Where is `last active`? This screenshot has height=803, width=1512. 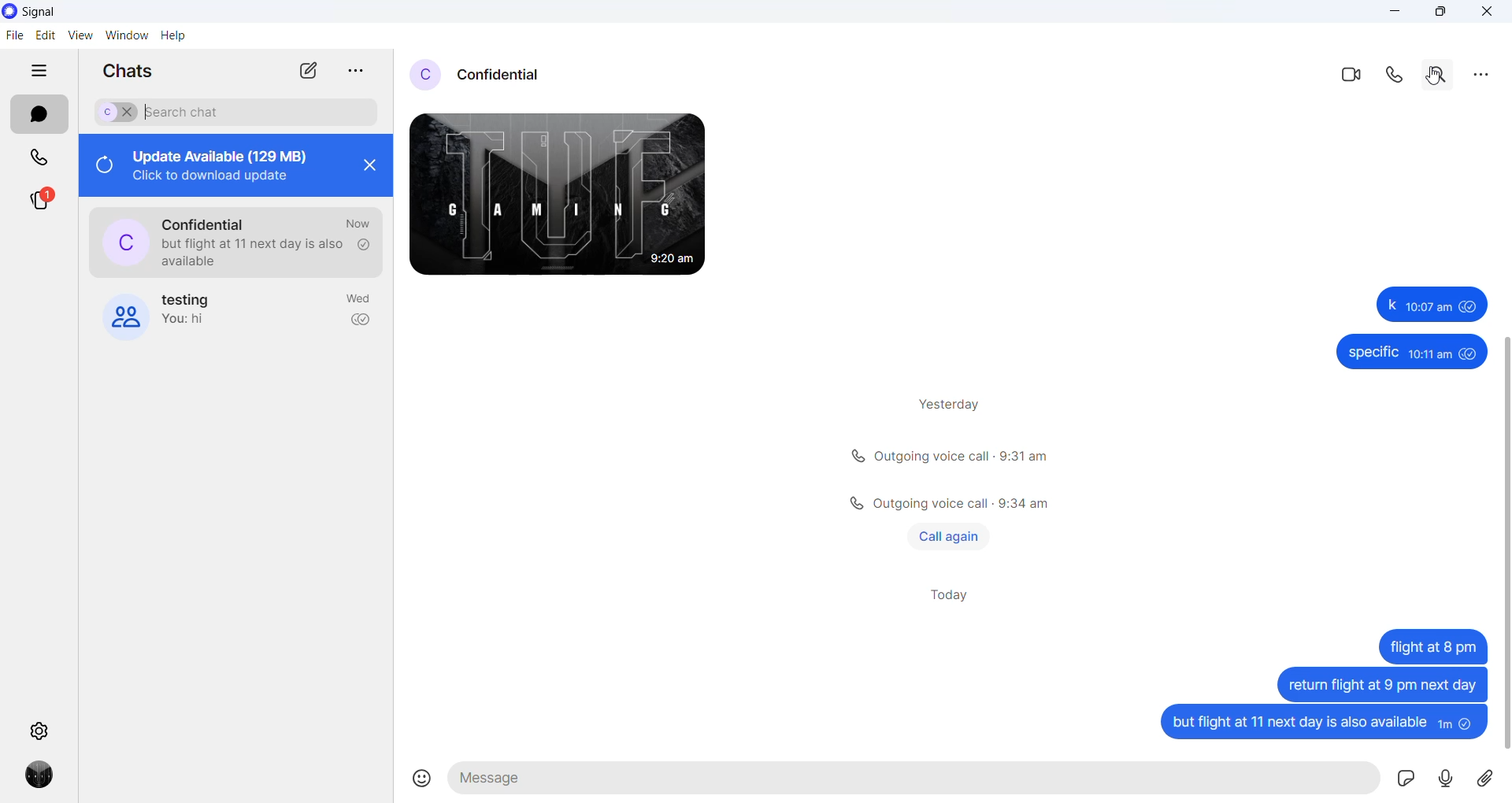 last active is located at coordinates (358, 224).